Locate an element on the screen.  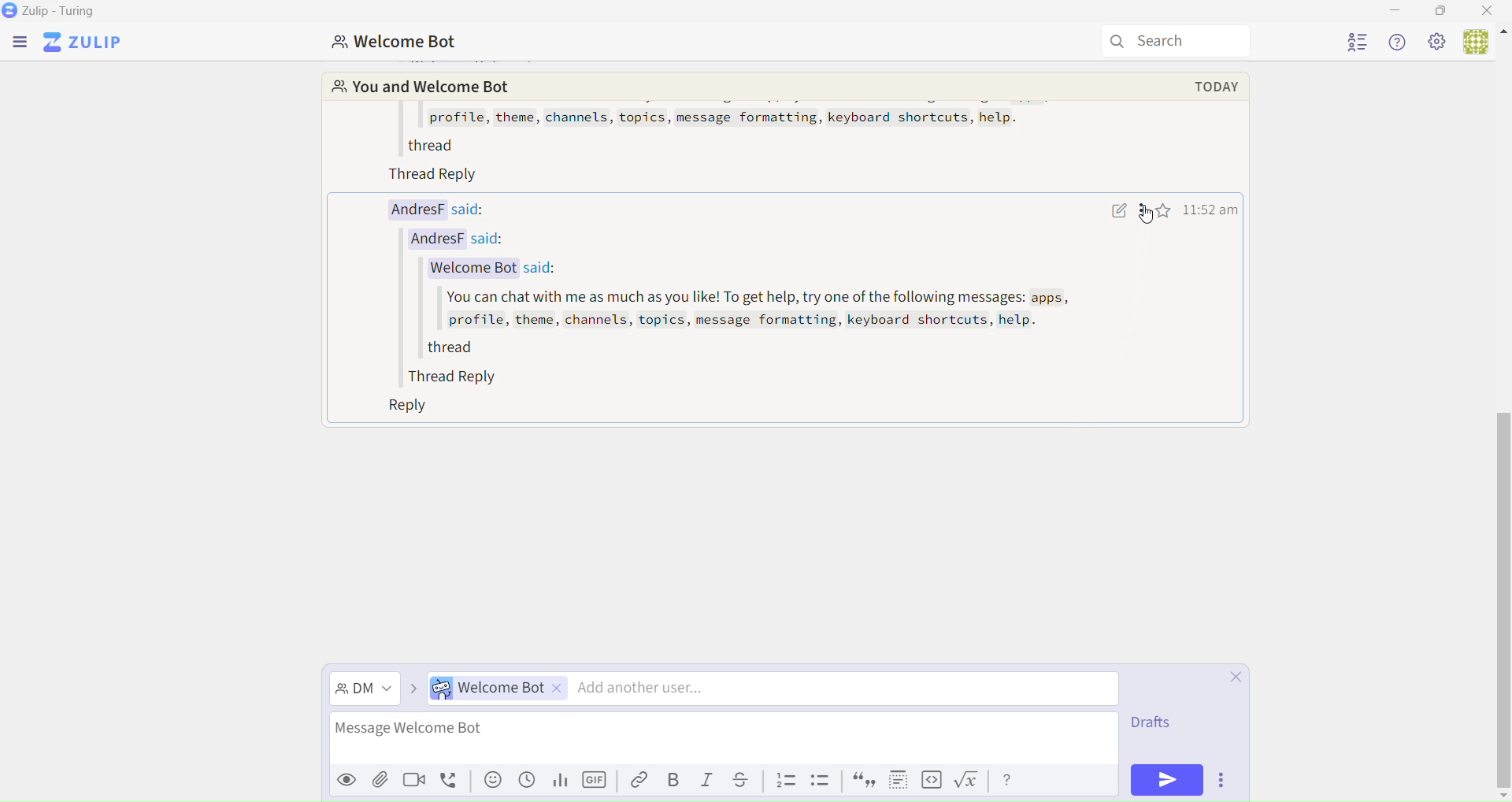
Bold is located at coordinates (675, 780).